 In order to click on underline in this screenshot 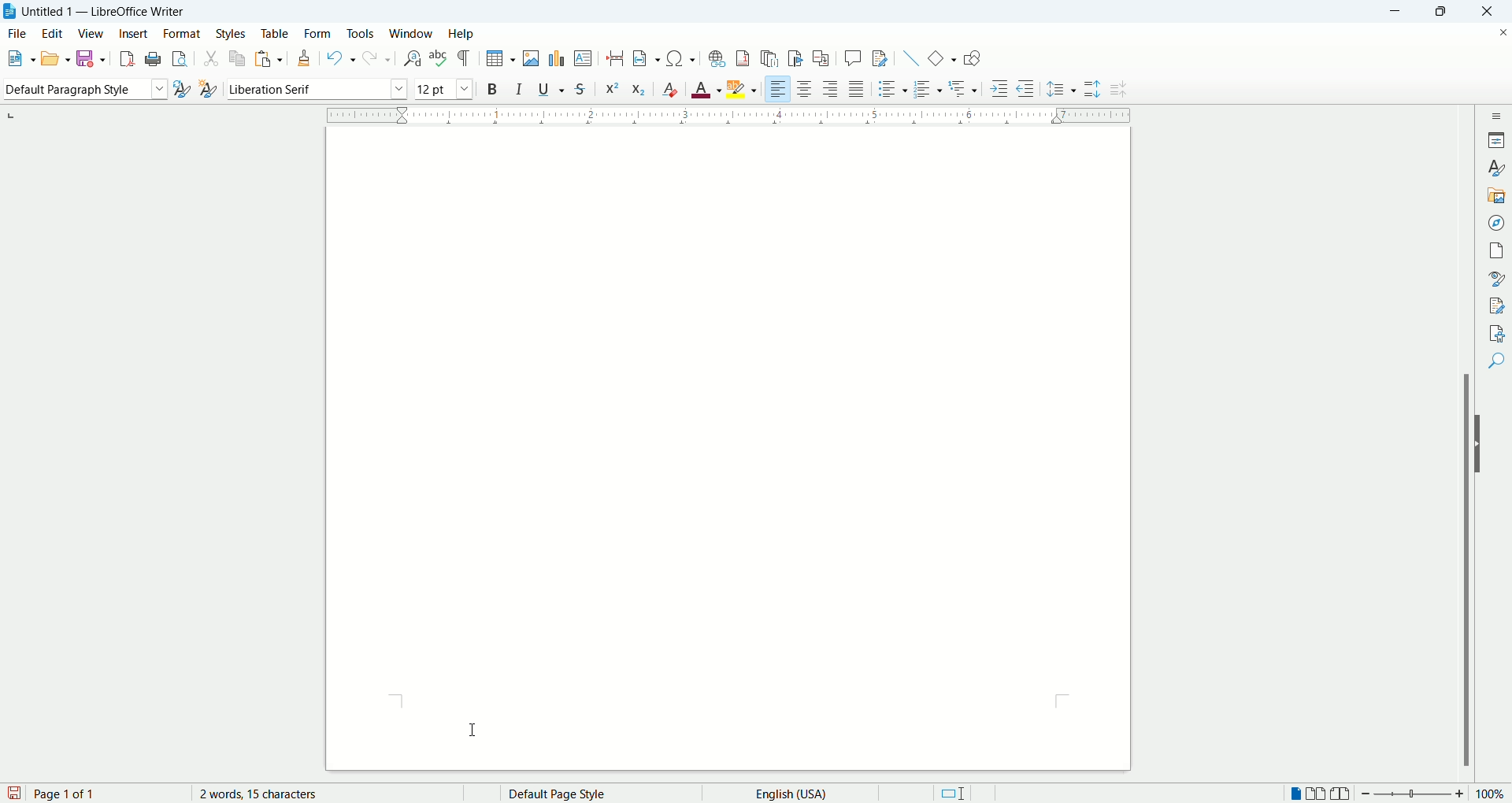, I will do `click(554, 89)`.